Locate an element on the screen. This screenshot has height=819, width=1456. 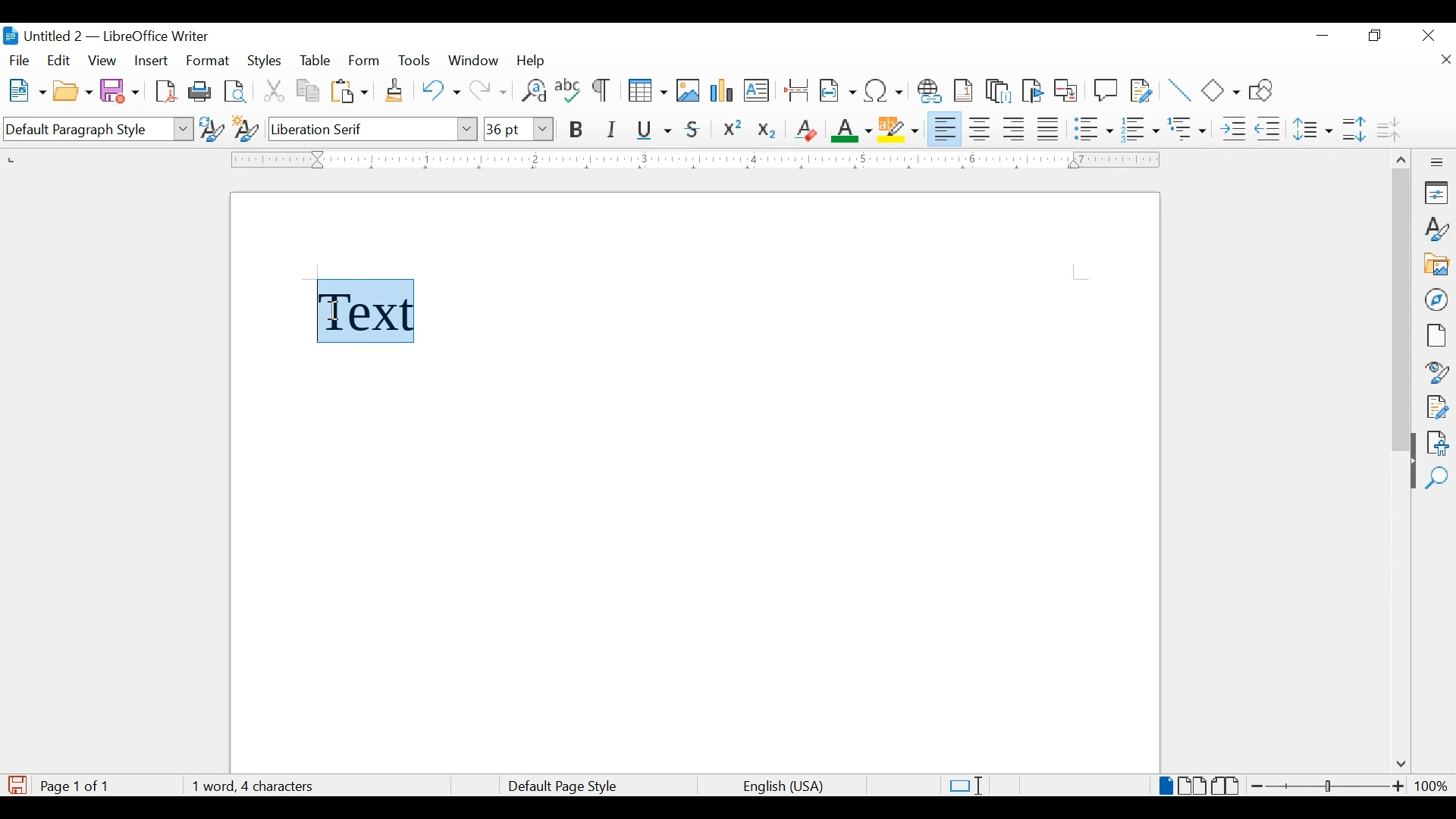
format is located at coordinates (209, 61).